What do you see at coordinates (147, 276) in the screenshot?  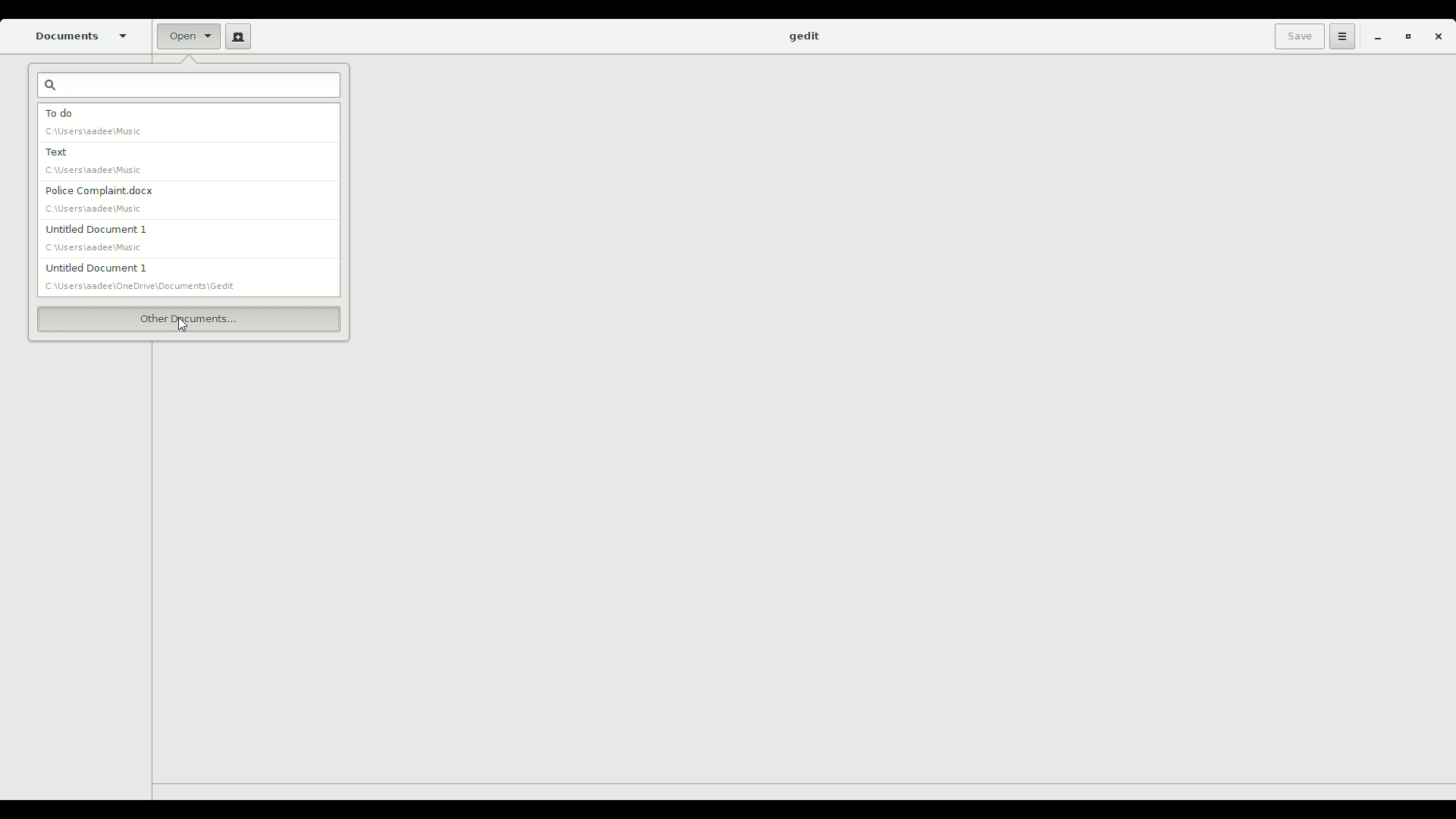 I see `Untitled document 1` at bounding box center [147, 276].